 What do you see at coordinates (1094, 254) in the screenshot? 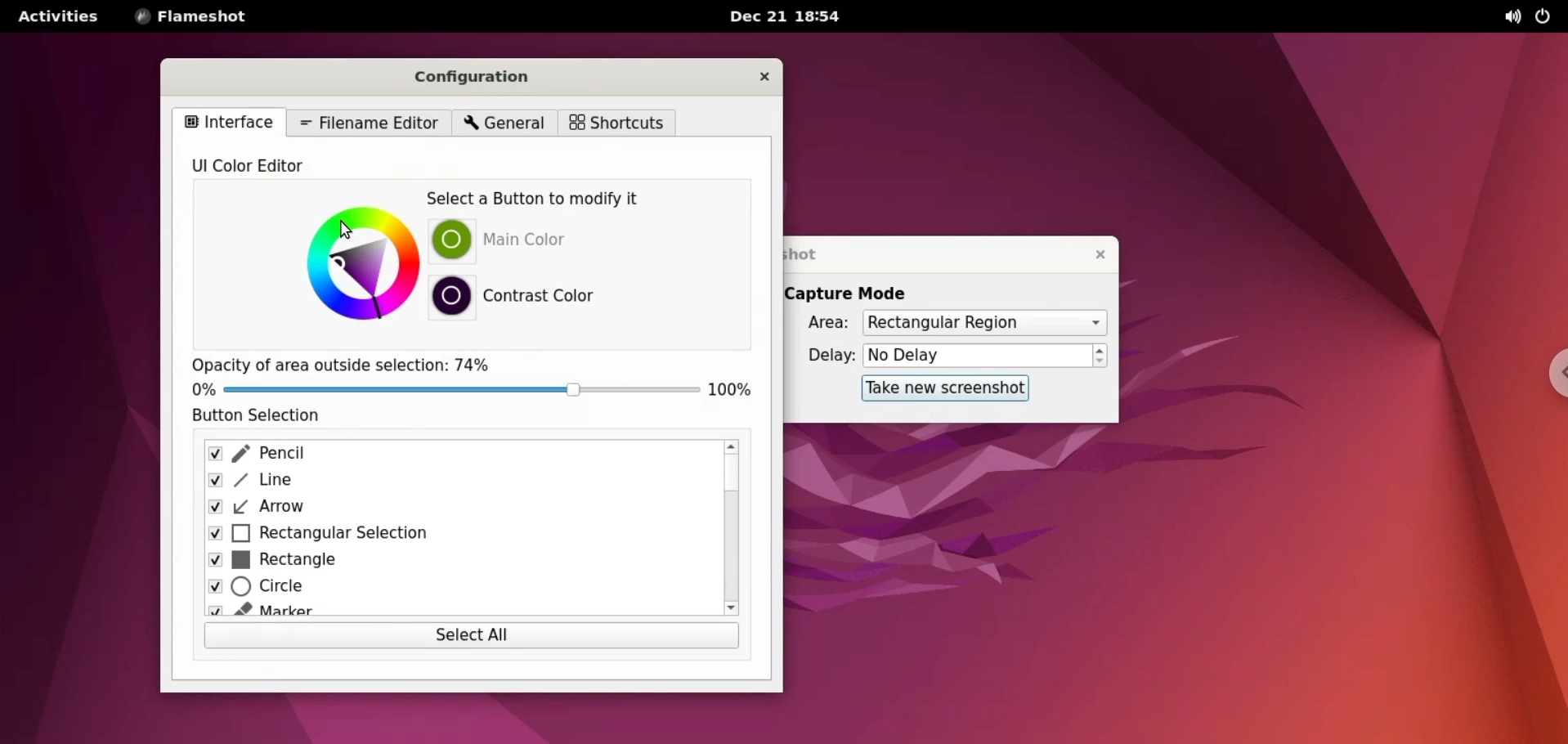
I see `close` at bounding box center [1094, 254].